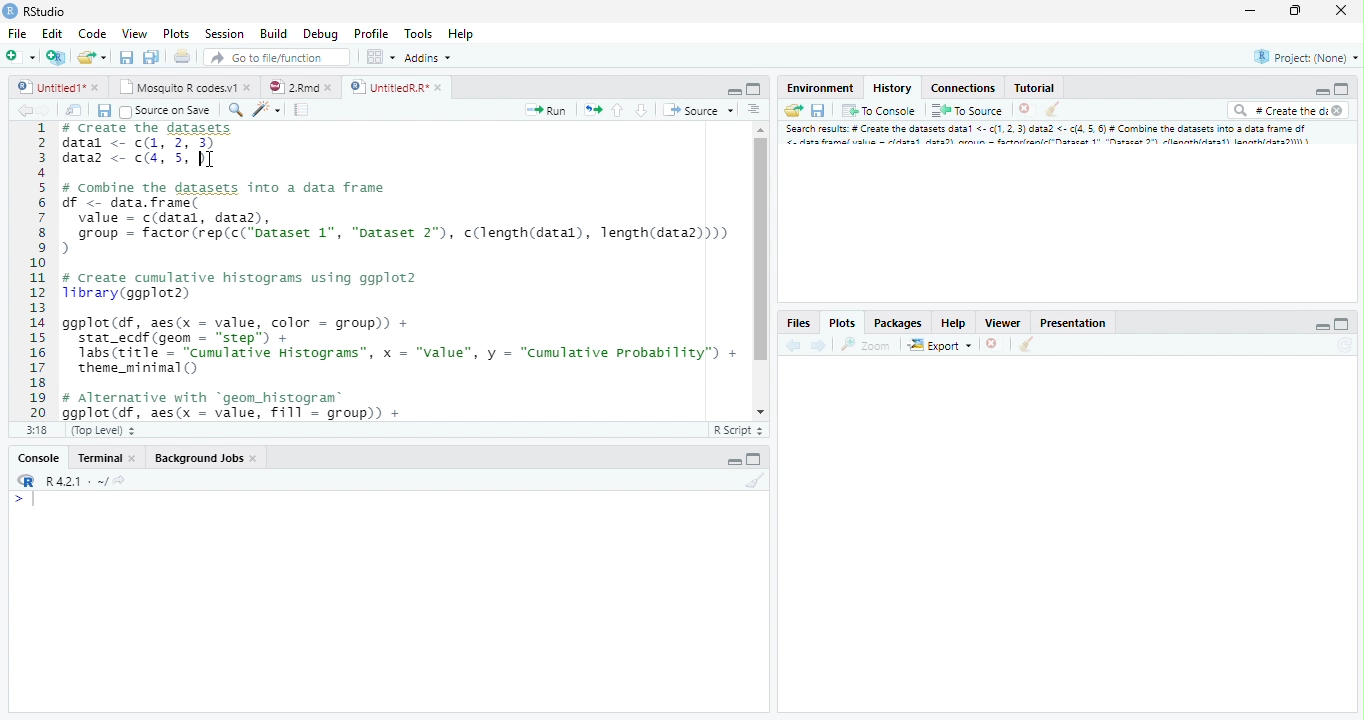  What do you see at coordinates (546, 110) in the screenshot?
I see `Run` at bounding box center [546, 110].